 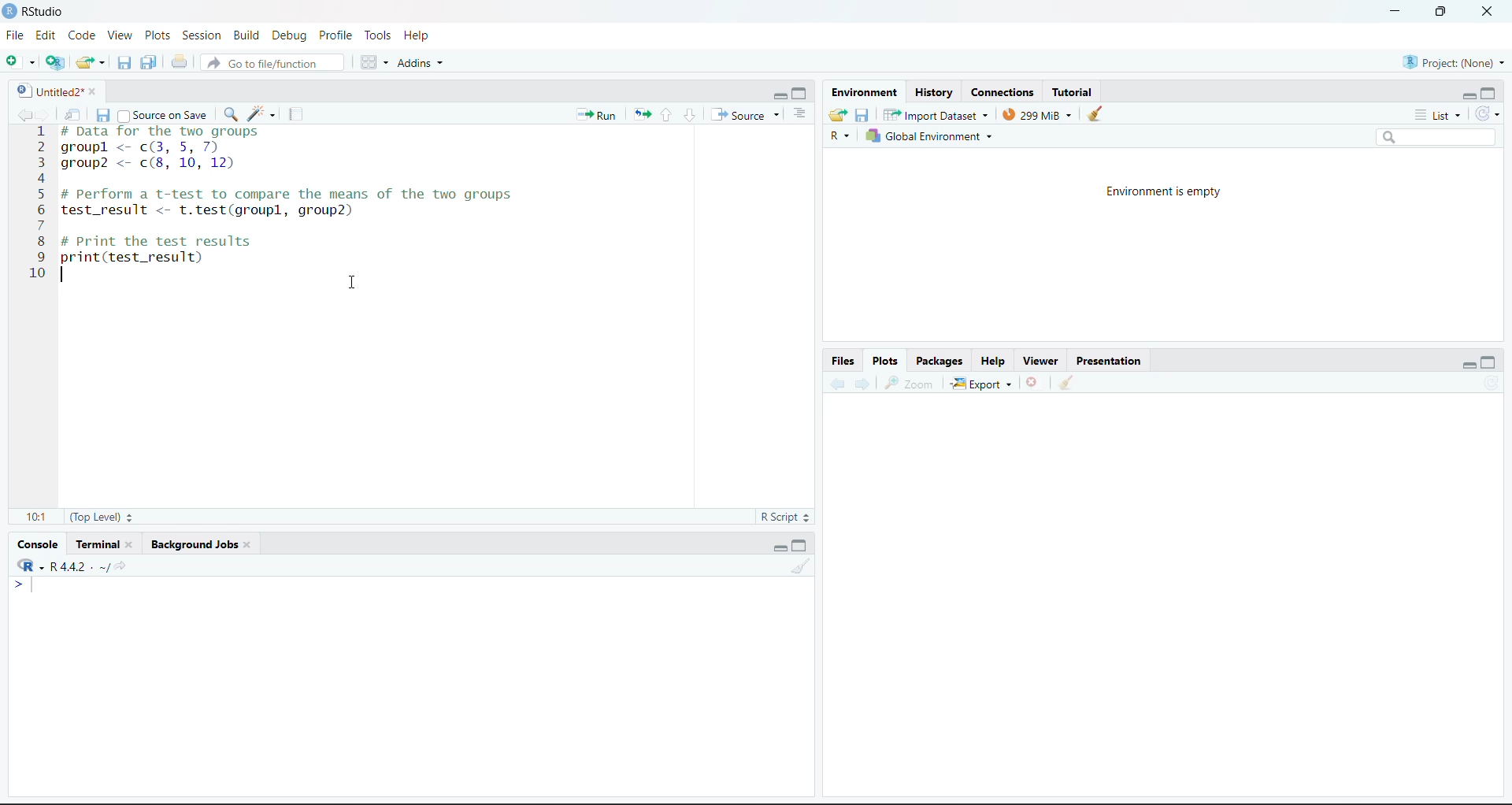 What do you see at coordinates (89, 61) in the screenshot?
I see `open an existing file` at bounding box center [89, 61].